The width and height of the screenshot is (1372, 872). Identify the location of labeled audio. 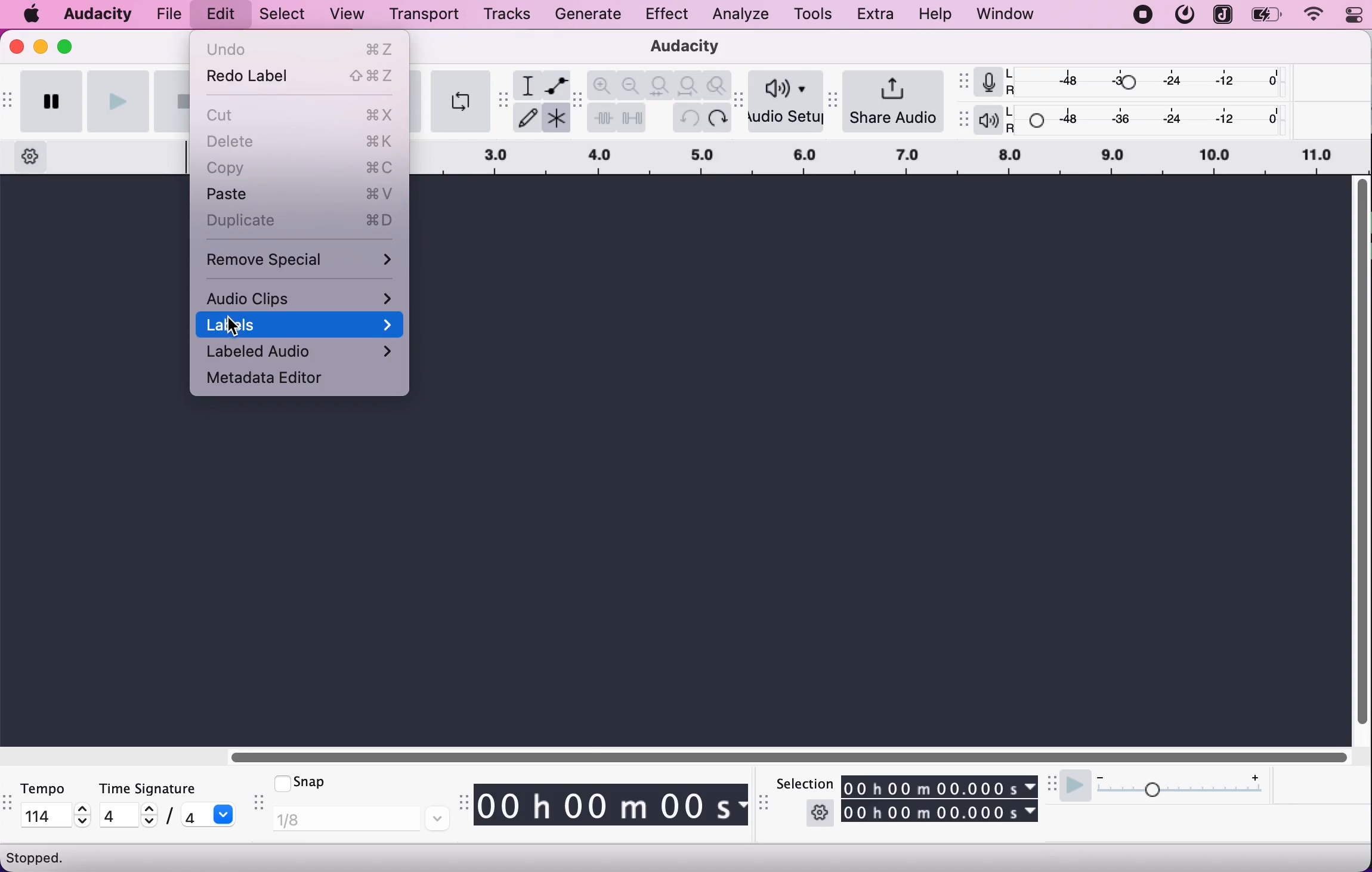
(302, 352).